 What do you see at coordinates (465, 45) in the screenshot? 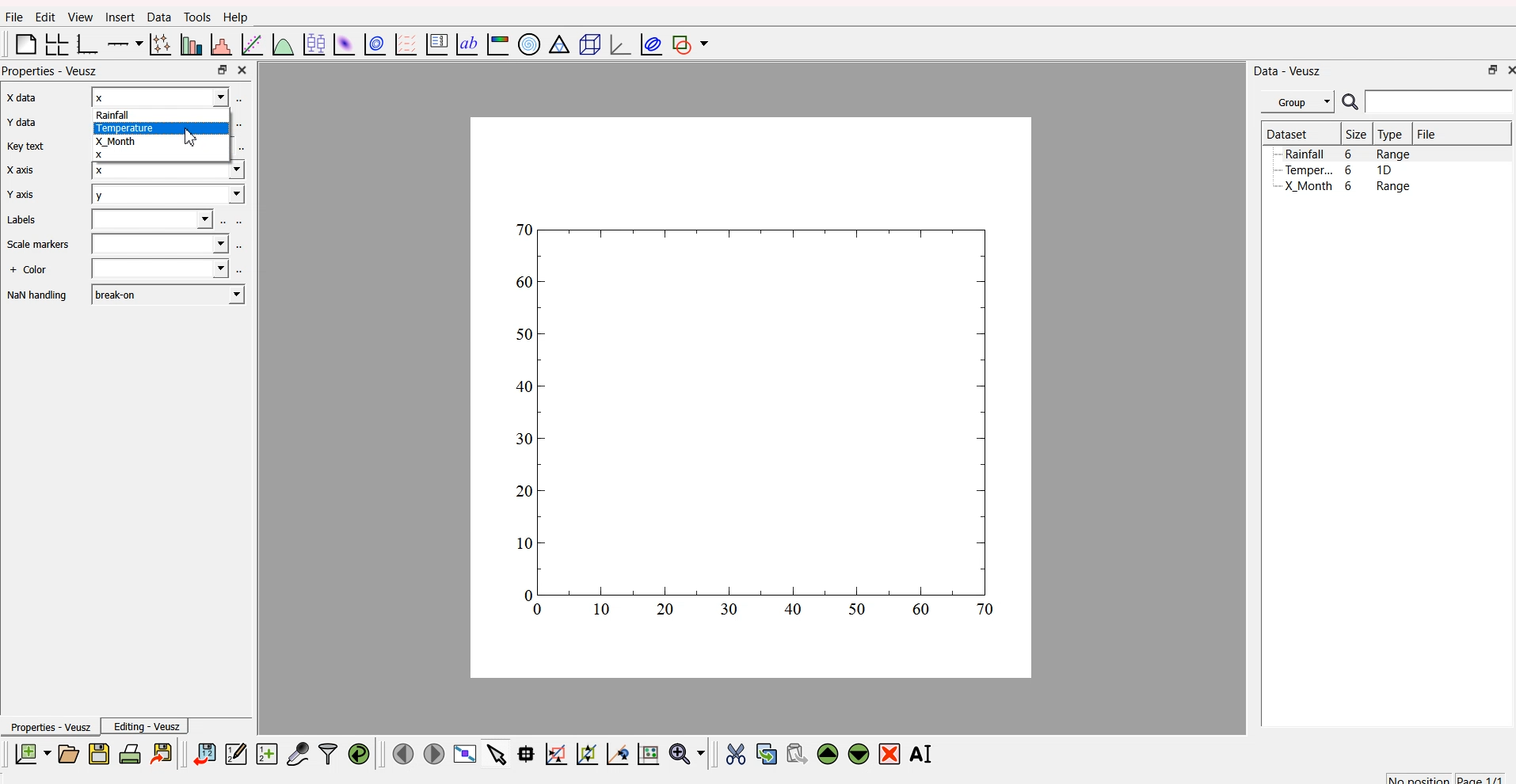
I see `text label` at bounding box center [465, 45].